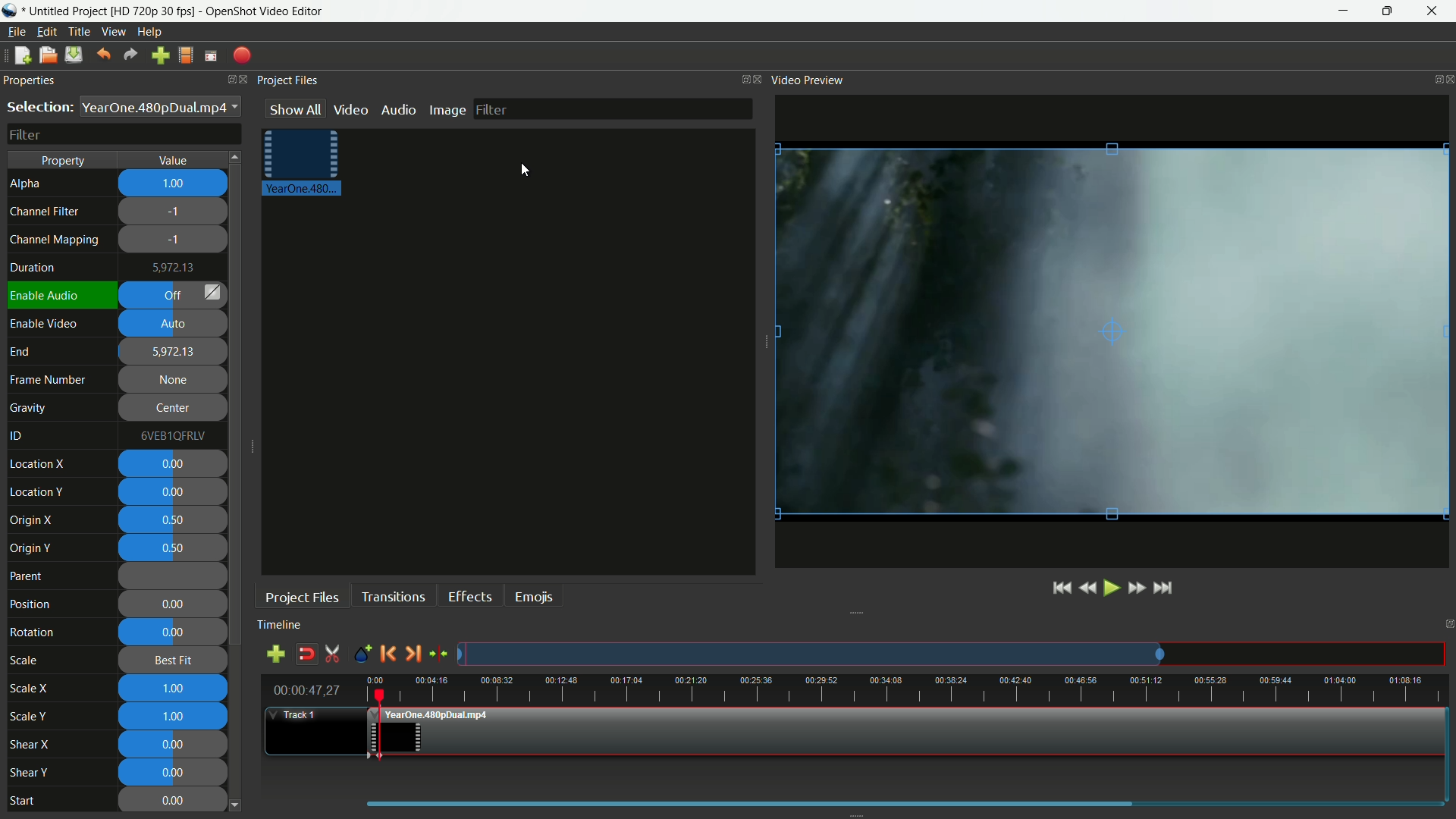  What do you see at coordinates (175, 323) in the screenshot?
I see `auto` at bounding box center [175, 323].